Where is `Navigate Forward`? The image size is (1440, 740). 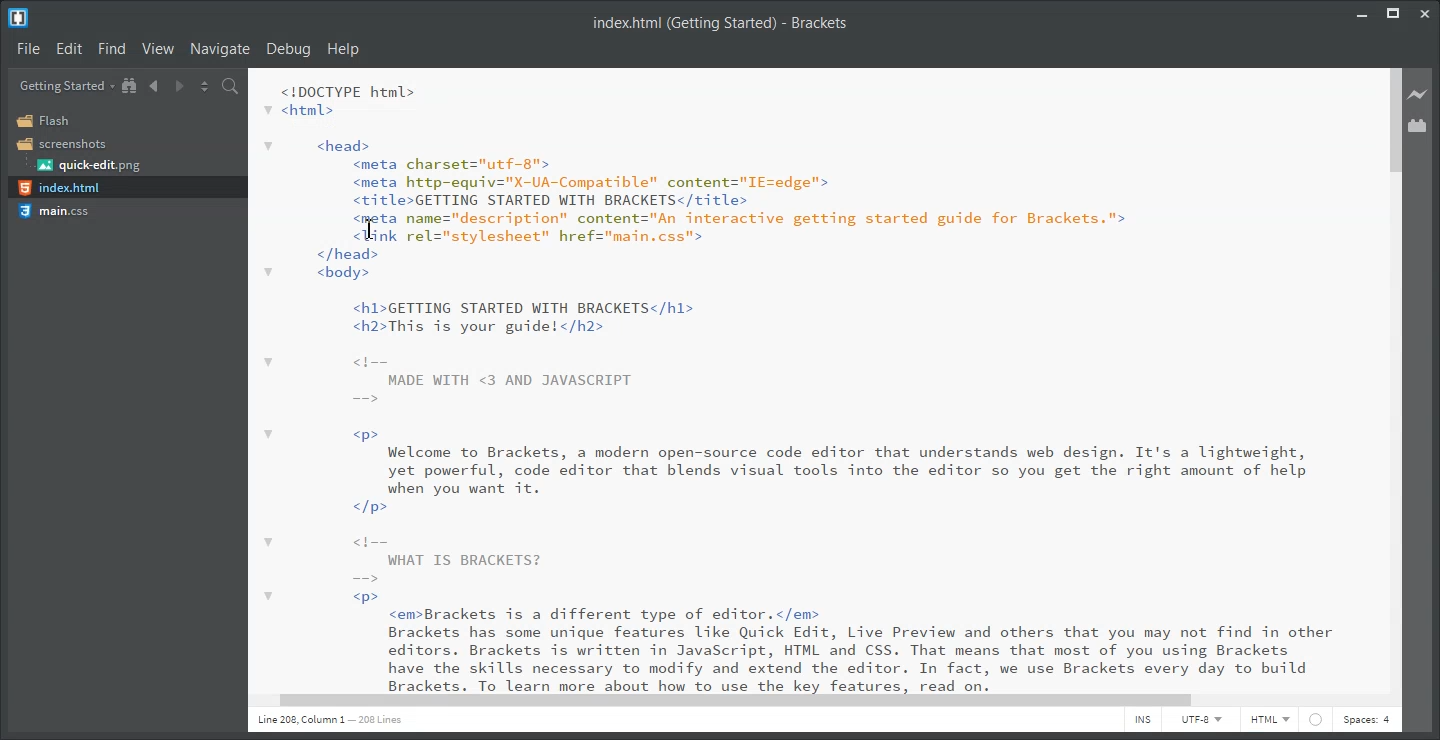
Navigate Forward is located at coordinates (179, 86).